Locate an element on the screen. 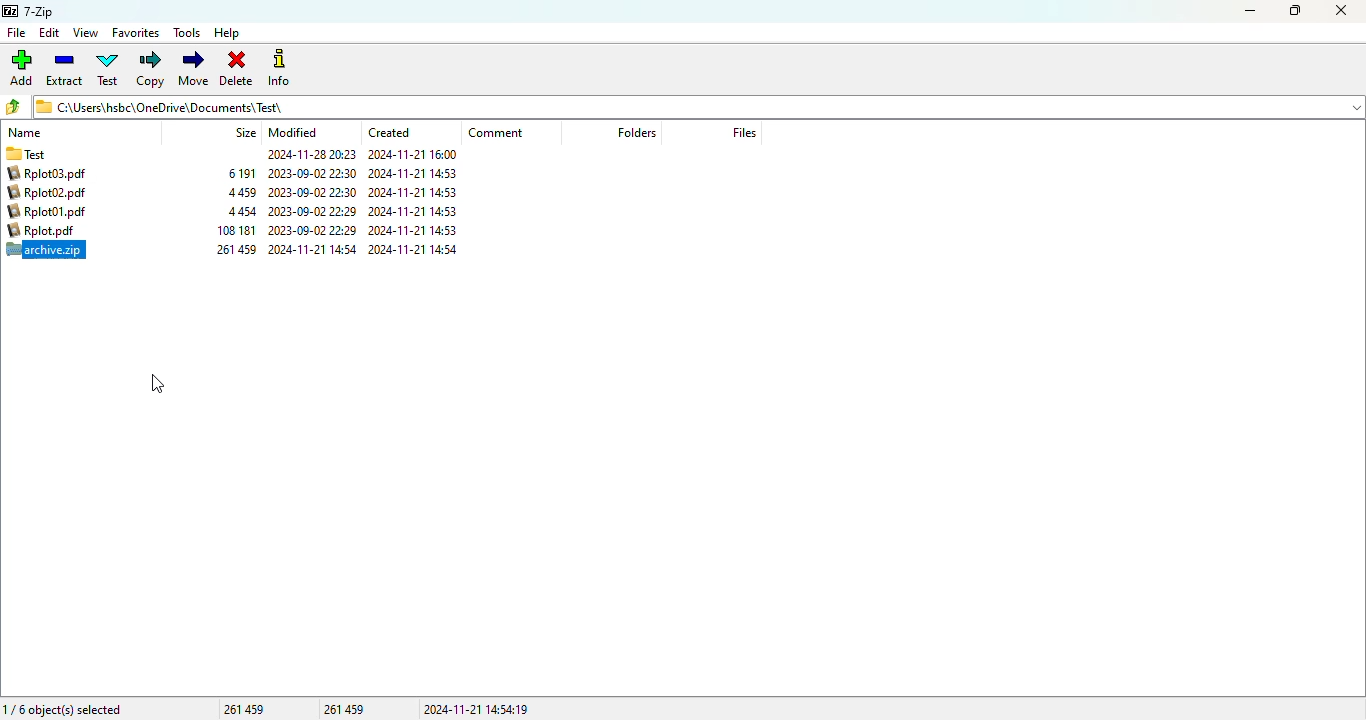 This screenshot has width=1366, height=720. test is located at coordinates (108, 69).